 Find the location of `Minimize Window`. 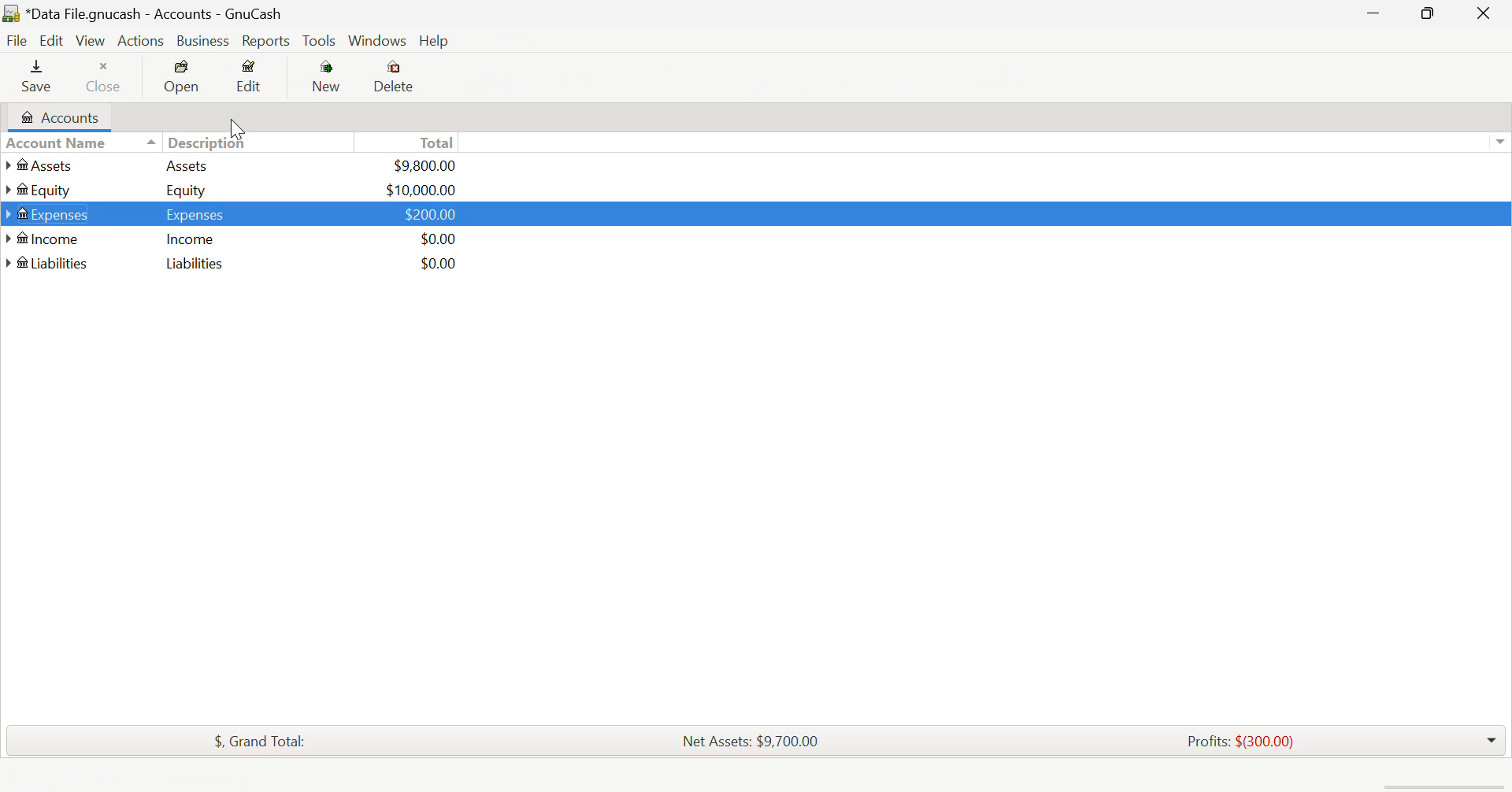

Minimize Window is located at coordinates (1430, 13).